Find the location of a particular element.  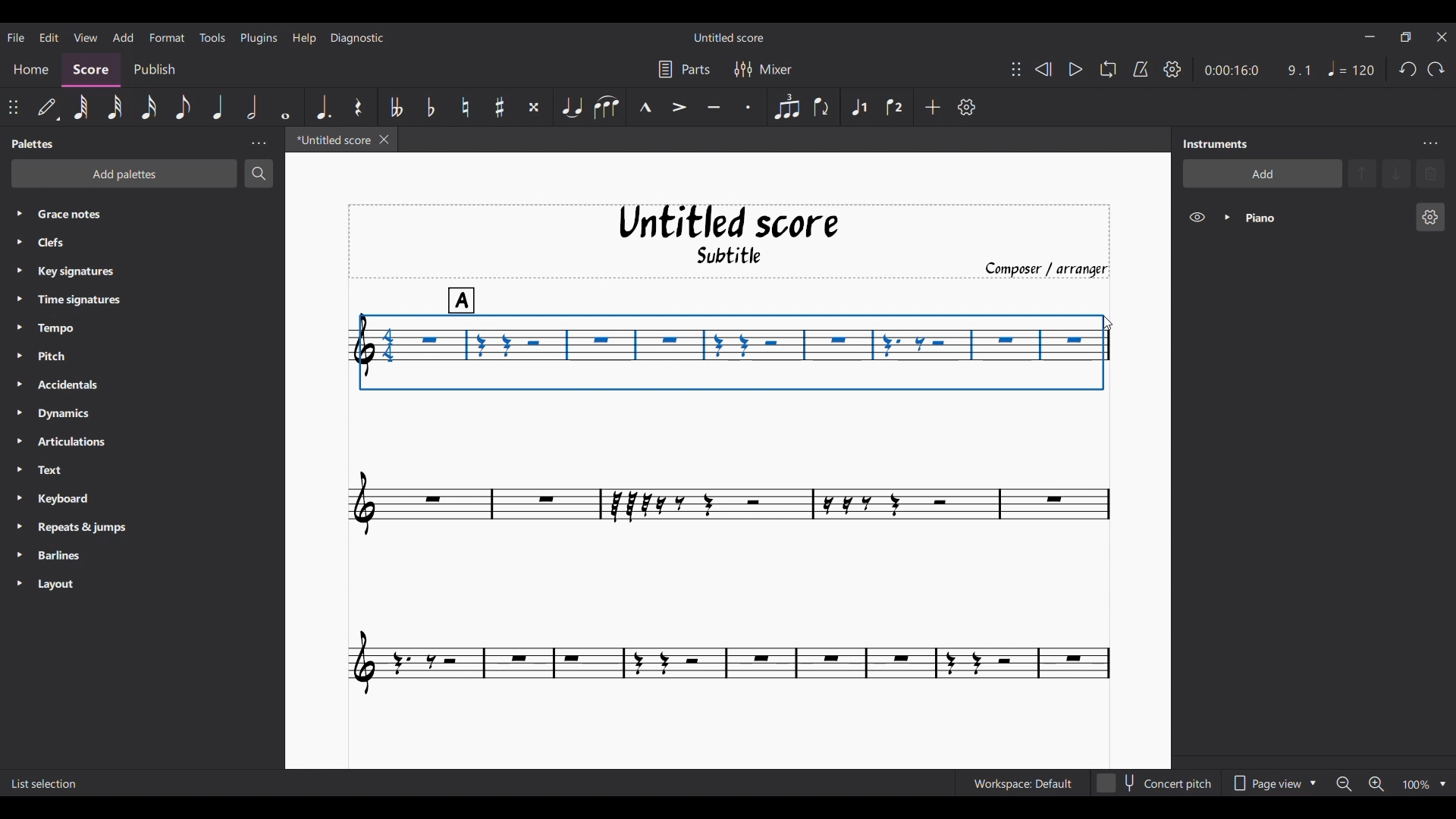

Palette title is located at coordinates (34, 144).